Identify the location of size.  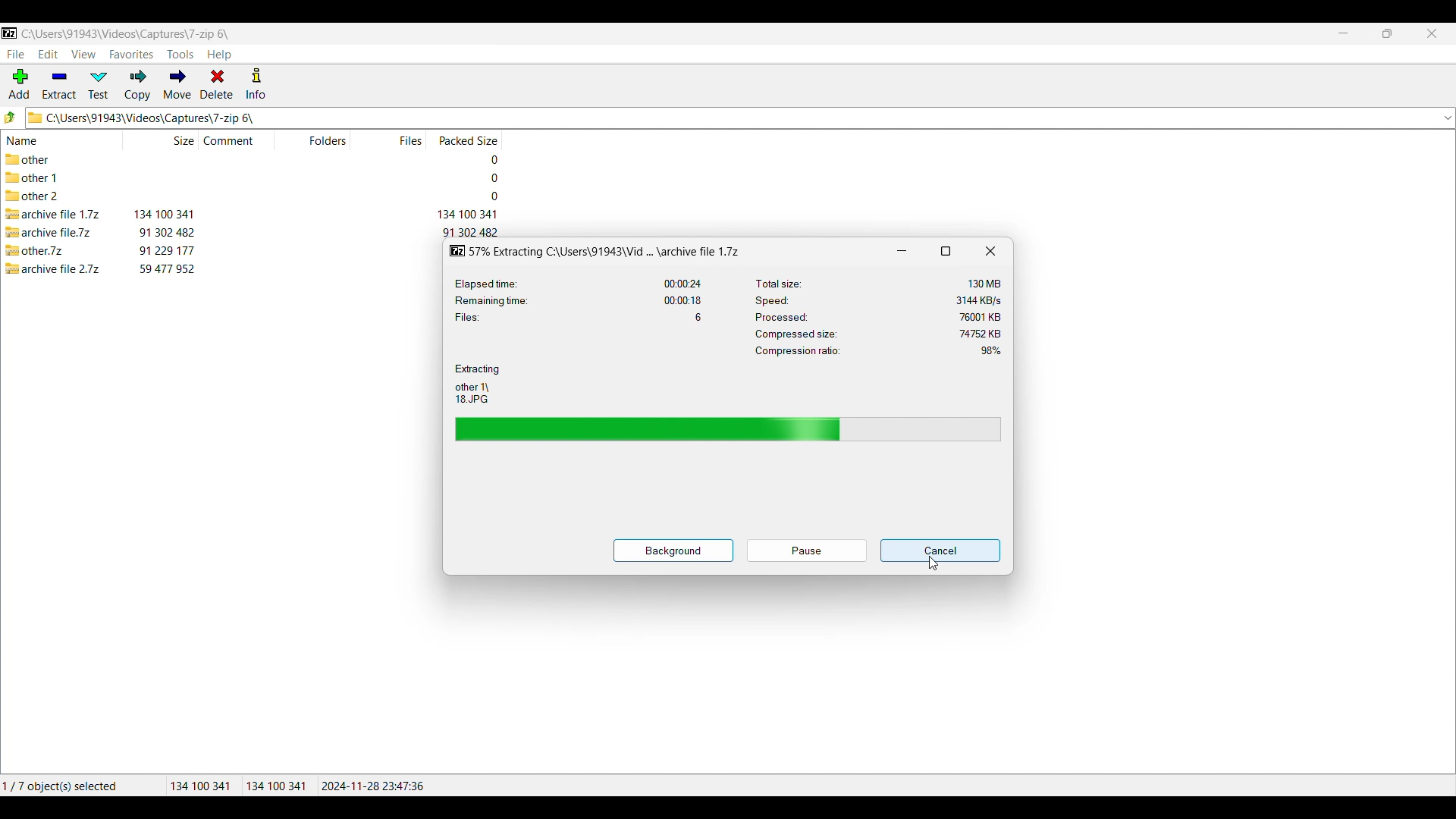
(164, 214).